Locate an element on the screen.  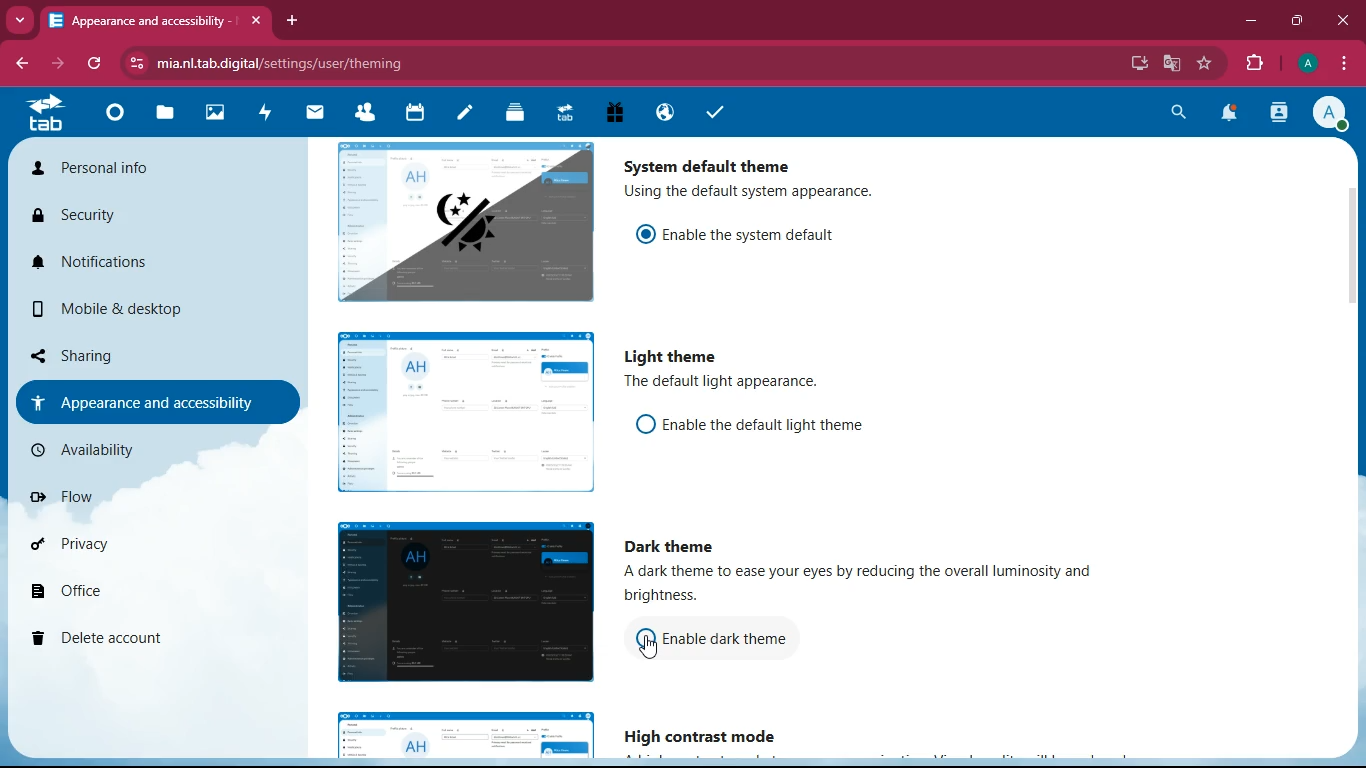
mobile is located at coordinates (102, 313).